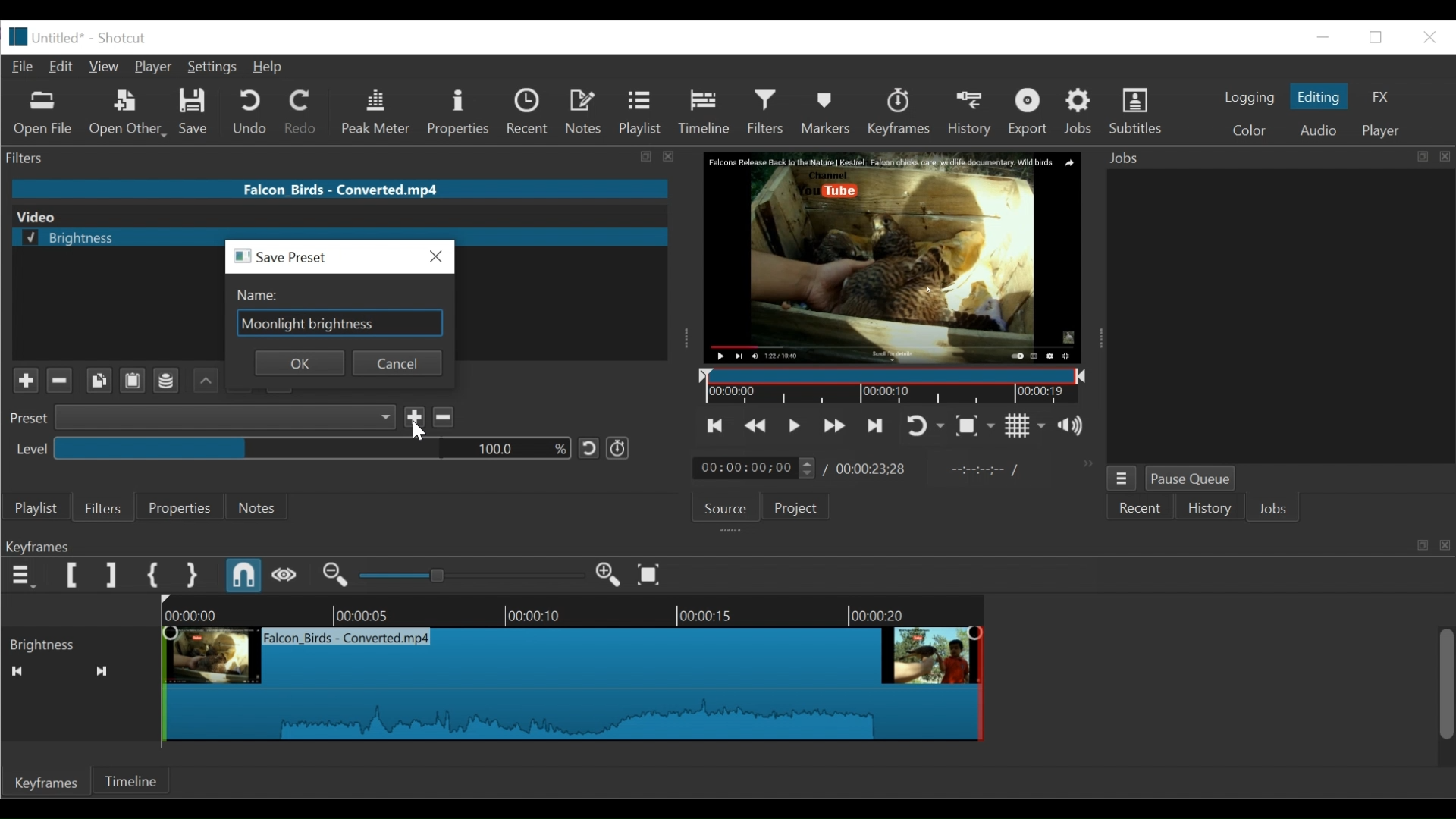  I want to click on Channel, so click(166, 381).